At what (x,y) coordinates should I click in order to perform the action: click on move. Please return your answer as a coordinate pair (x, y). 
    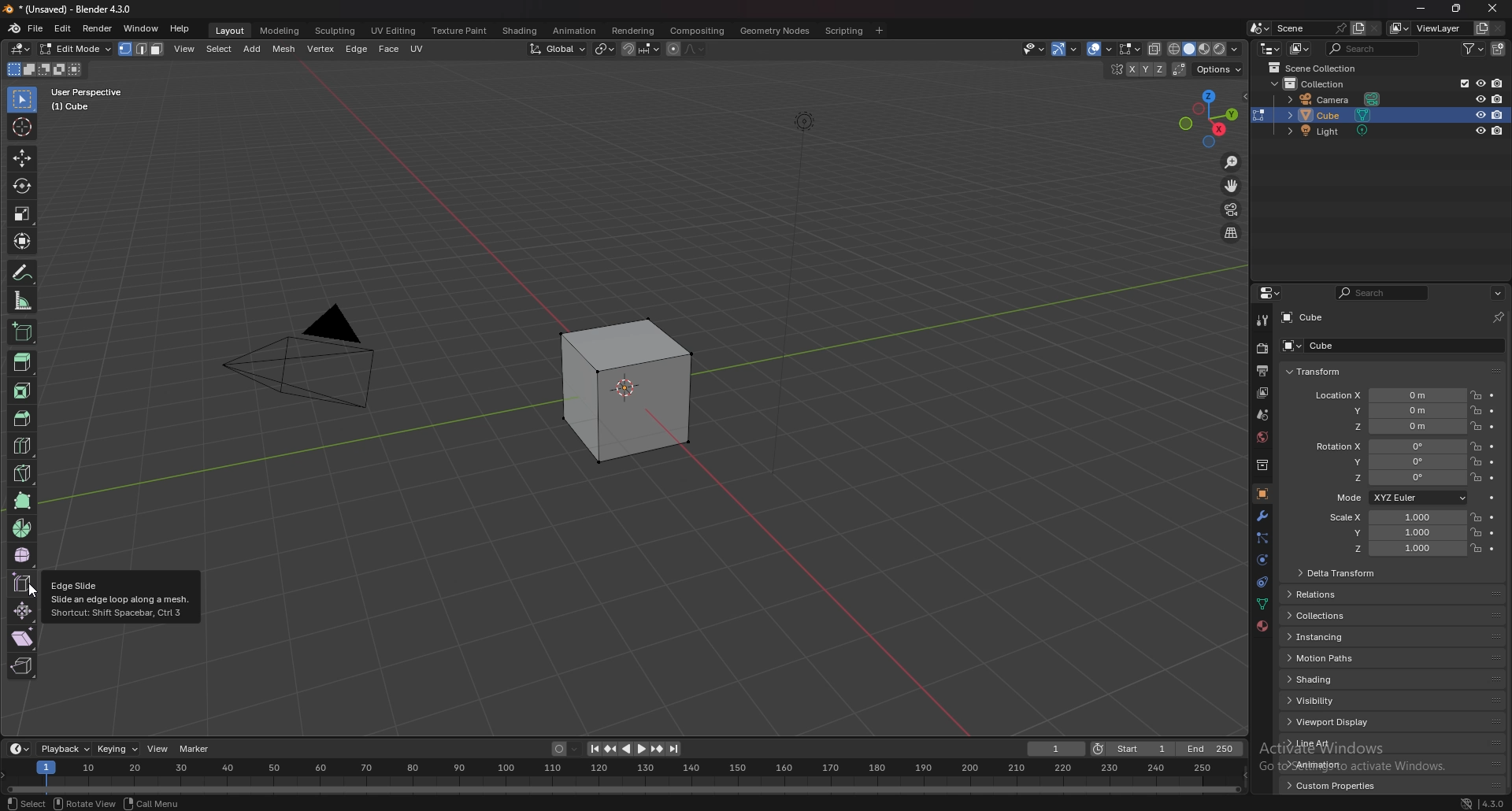
    Looking at the image, I should click on (23, 157).